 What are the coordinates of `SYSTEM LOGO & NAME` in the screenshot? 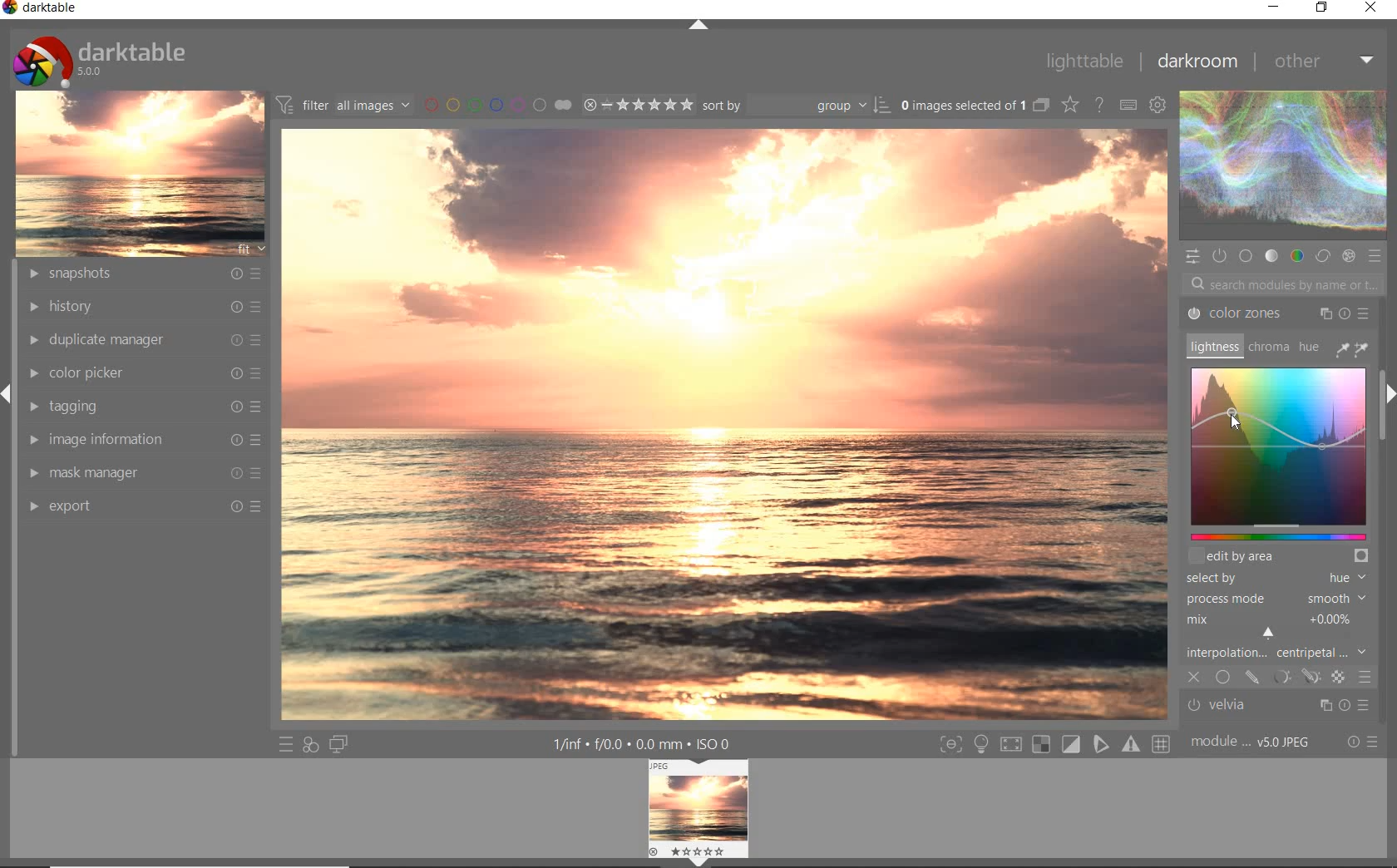 It's located at (99, 57).